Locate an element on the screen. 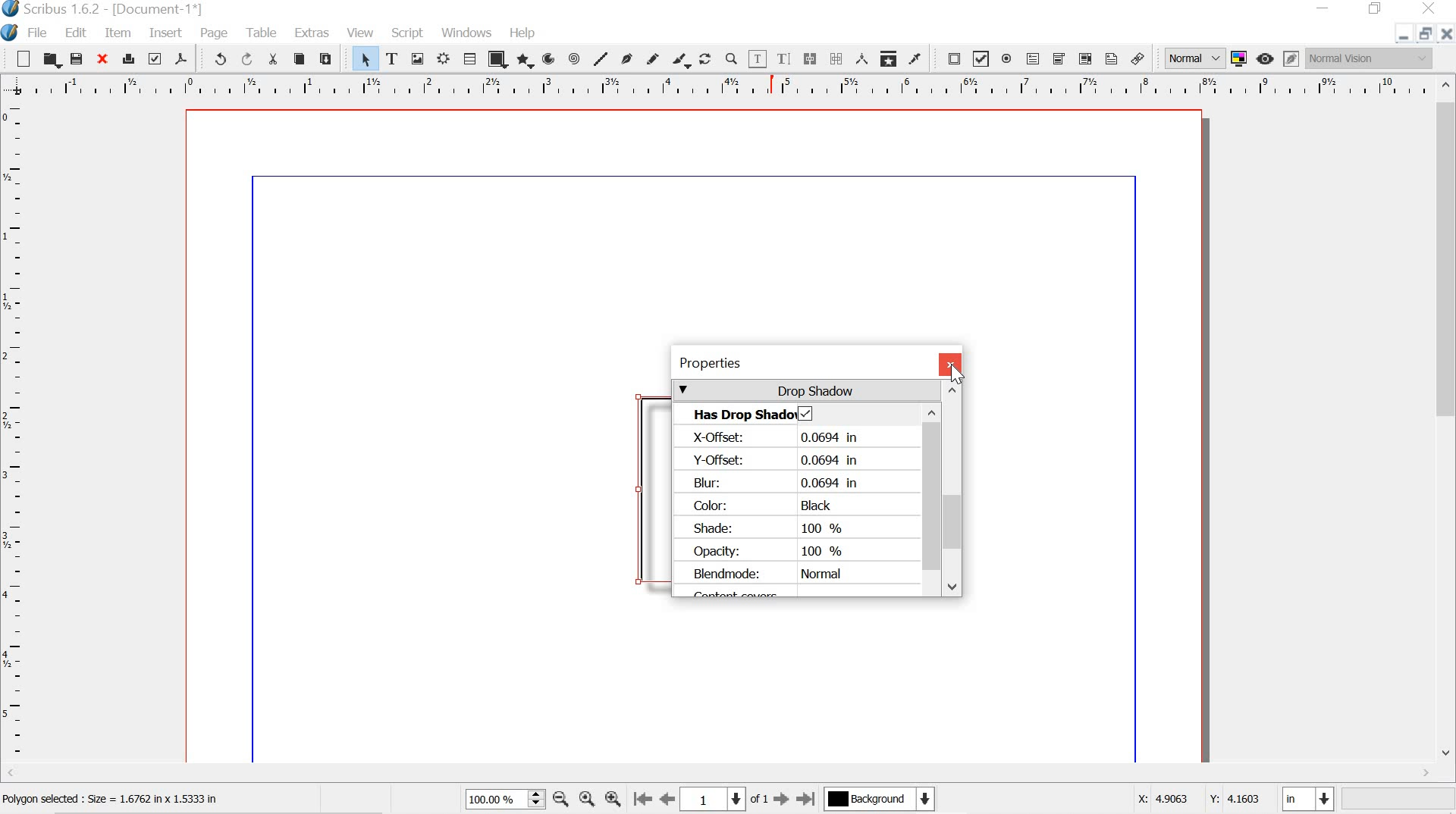  render frame is located at coordinates (445, 59).